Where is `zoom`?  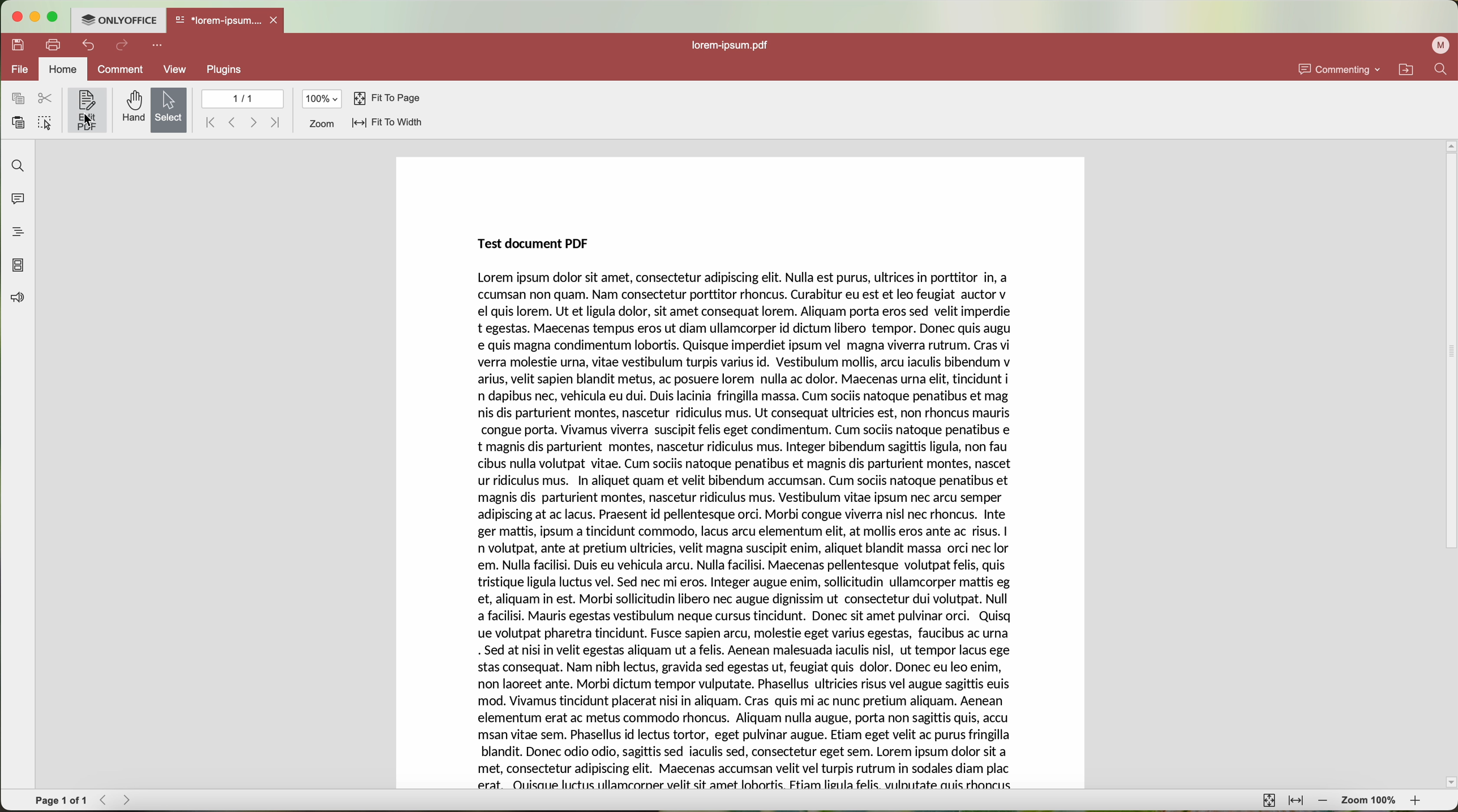 zoom is located at coordinates (321, 124).